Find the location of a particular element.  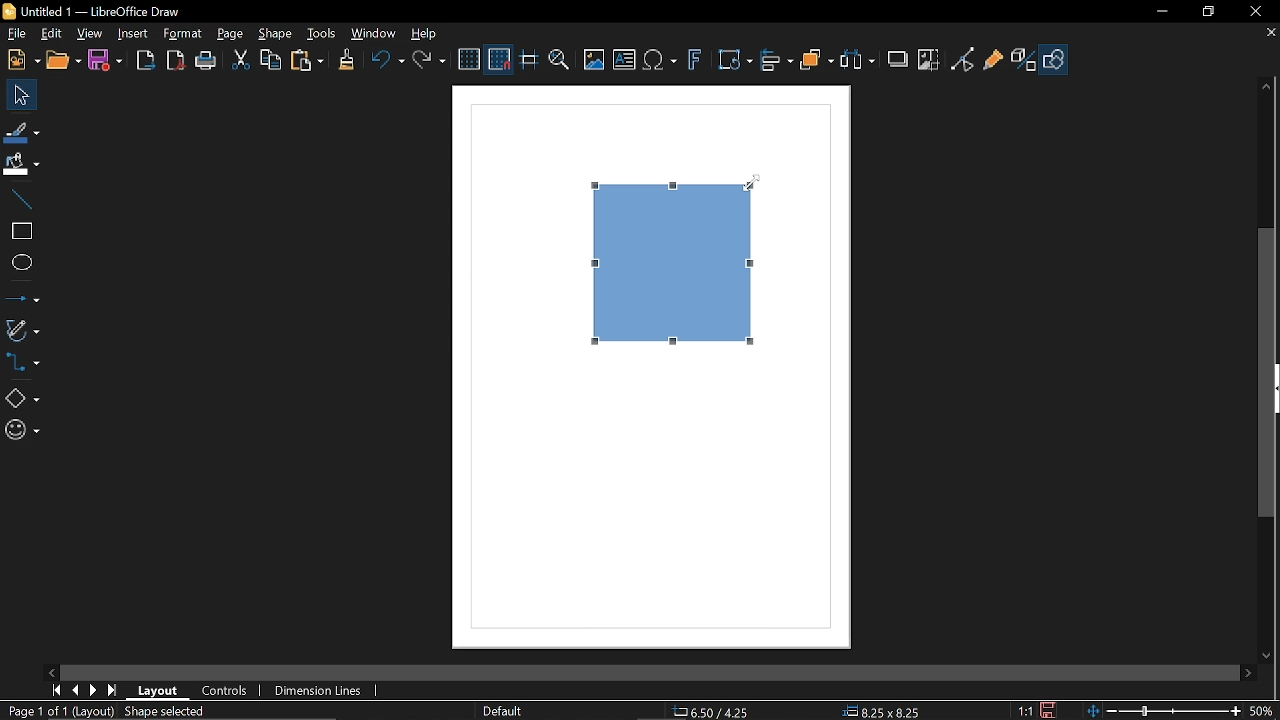

Glue is located at coordinates (994, 62).